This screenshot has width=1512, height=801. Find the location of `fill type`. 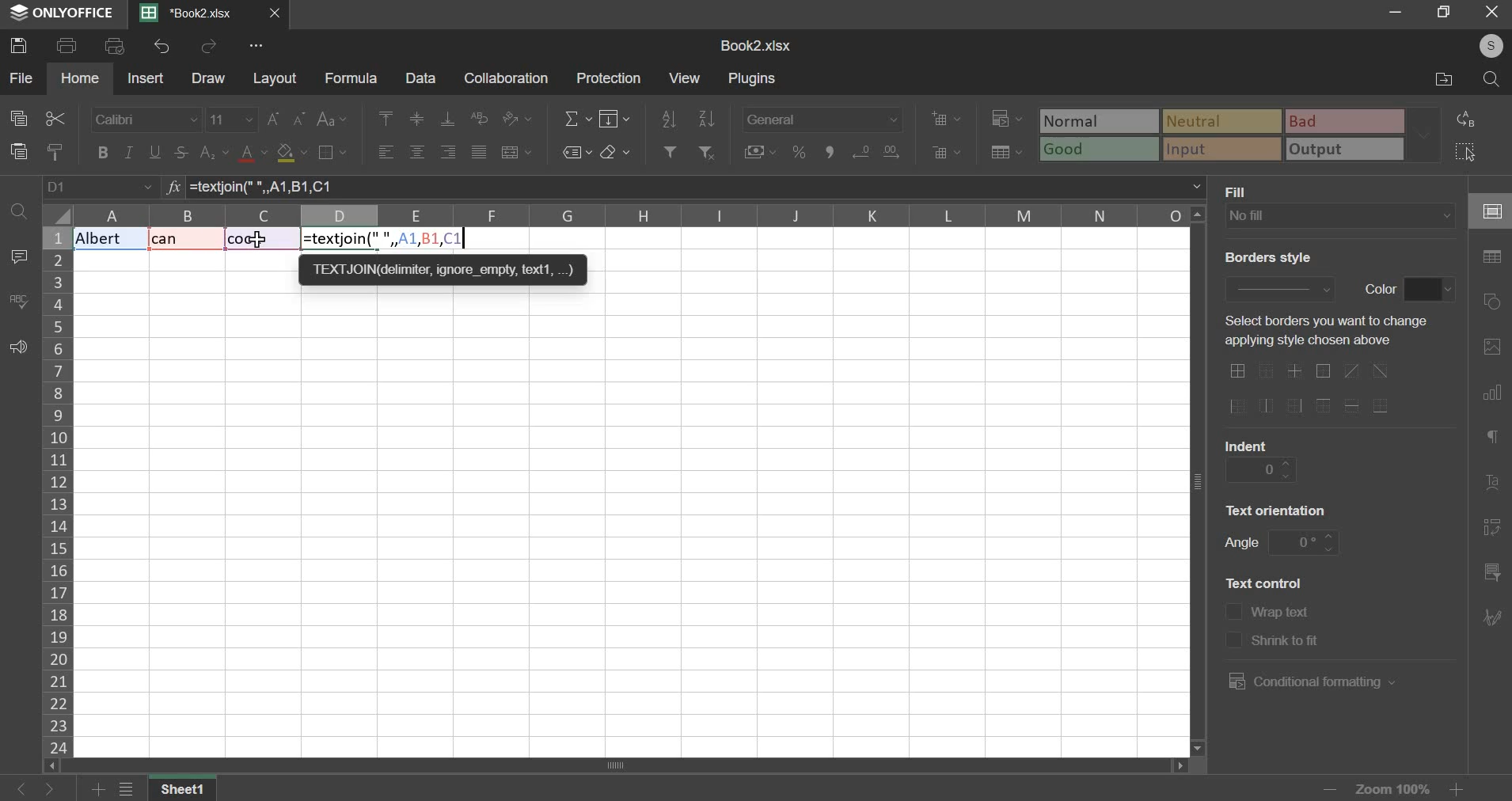

fill type is located at coordinates (1340, 216).